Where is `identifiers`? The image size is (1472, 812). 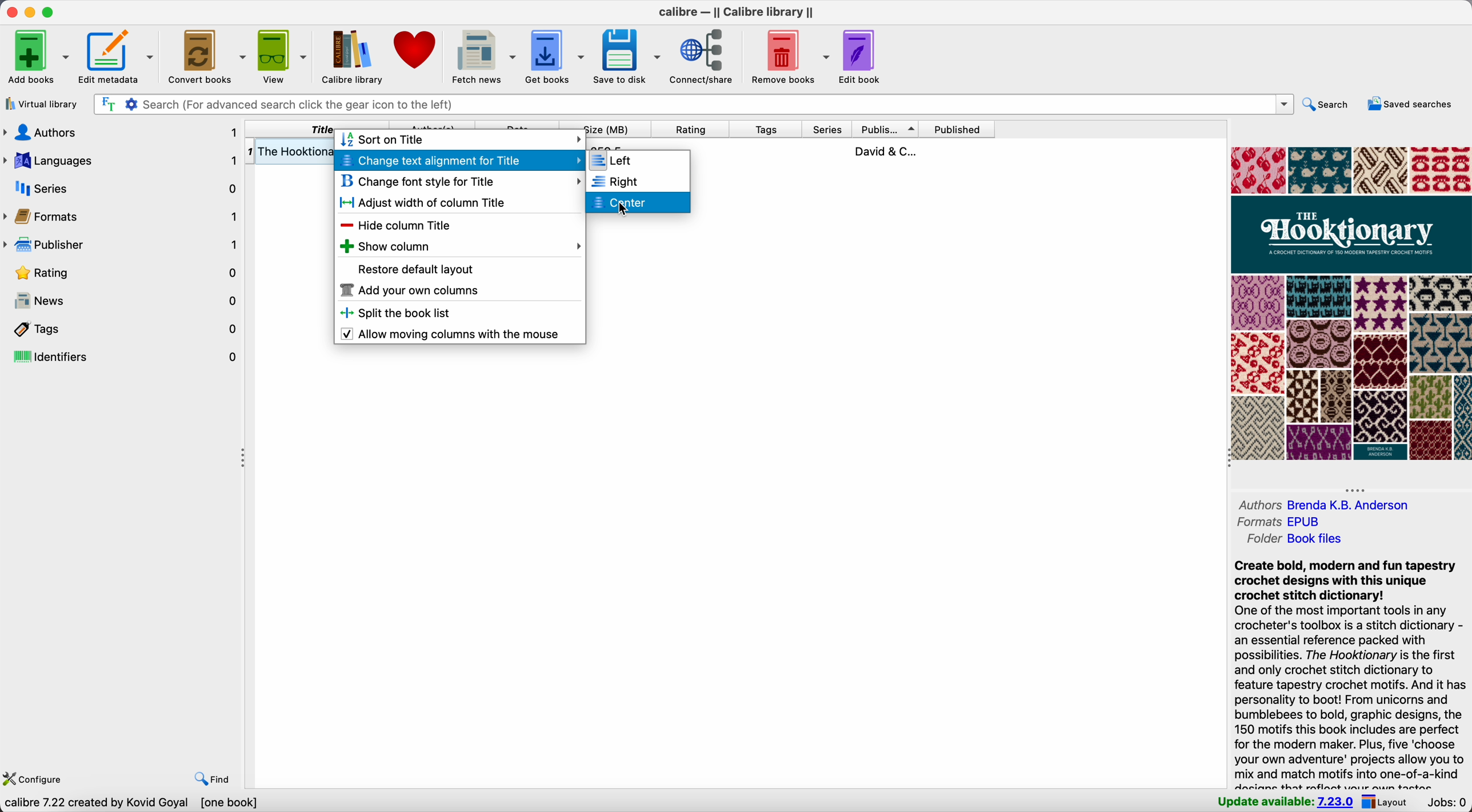 identifiers is located at coordinates (125, 357).